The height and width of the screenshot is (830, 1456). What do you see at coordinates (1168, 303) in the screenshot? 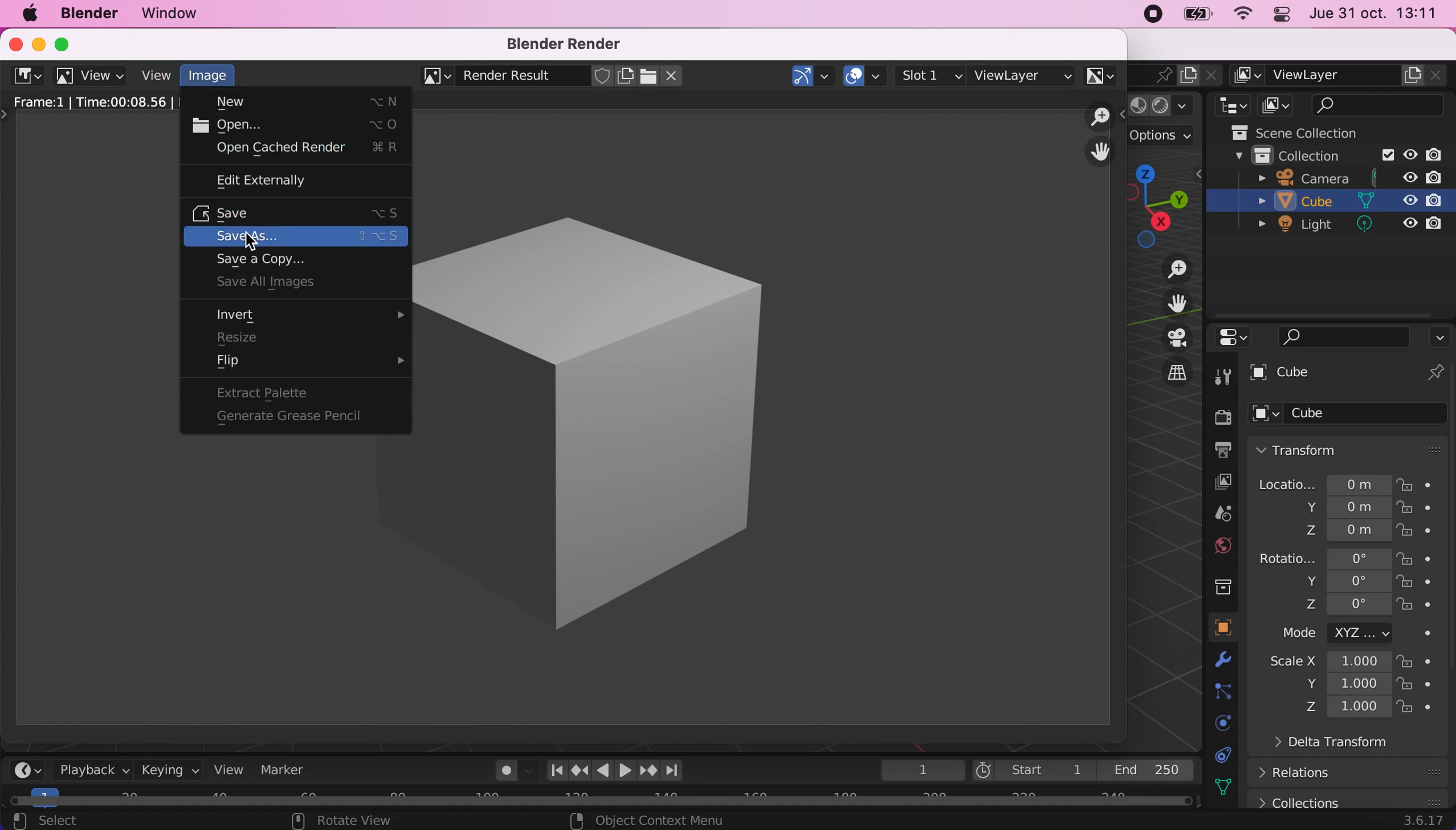
I see `move the view` at bounding box center [1168, 303].